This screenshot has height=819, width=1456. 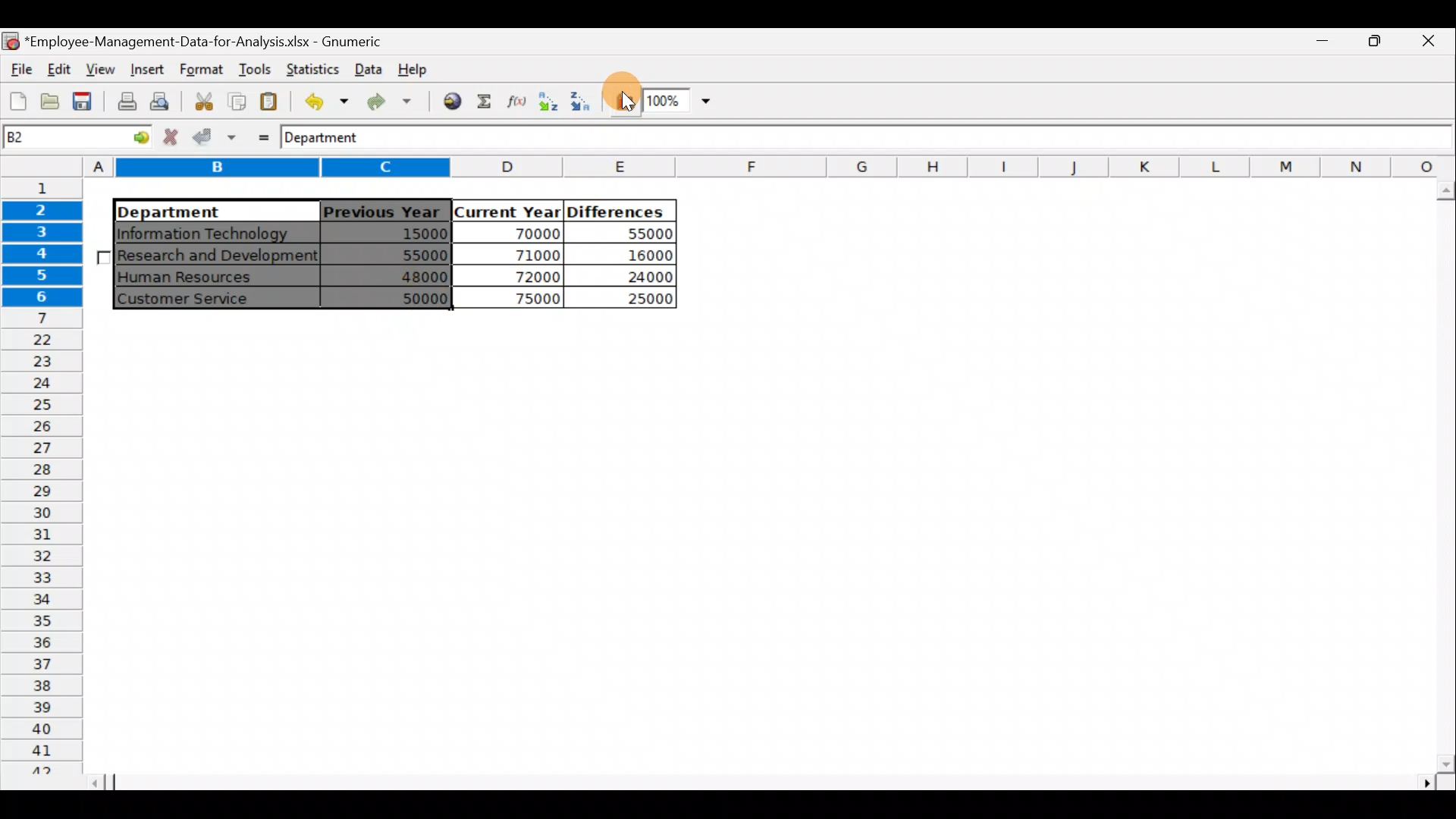 What do you see at coordinates (399, 278) in the screenshot?
I see `48000` at bounding box center [399, 278].